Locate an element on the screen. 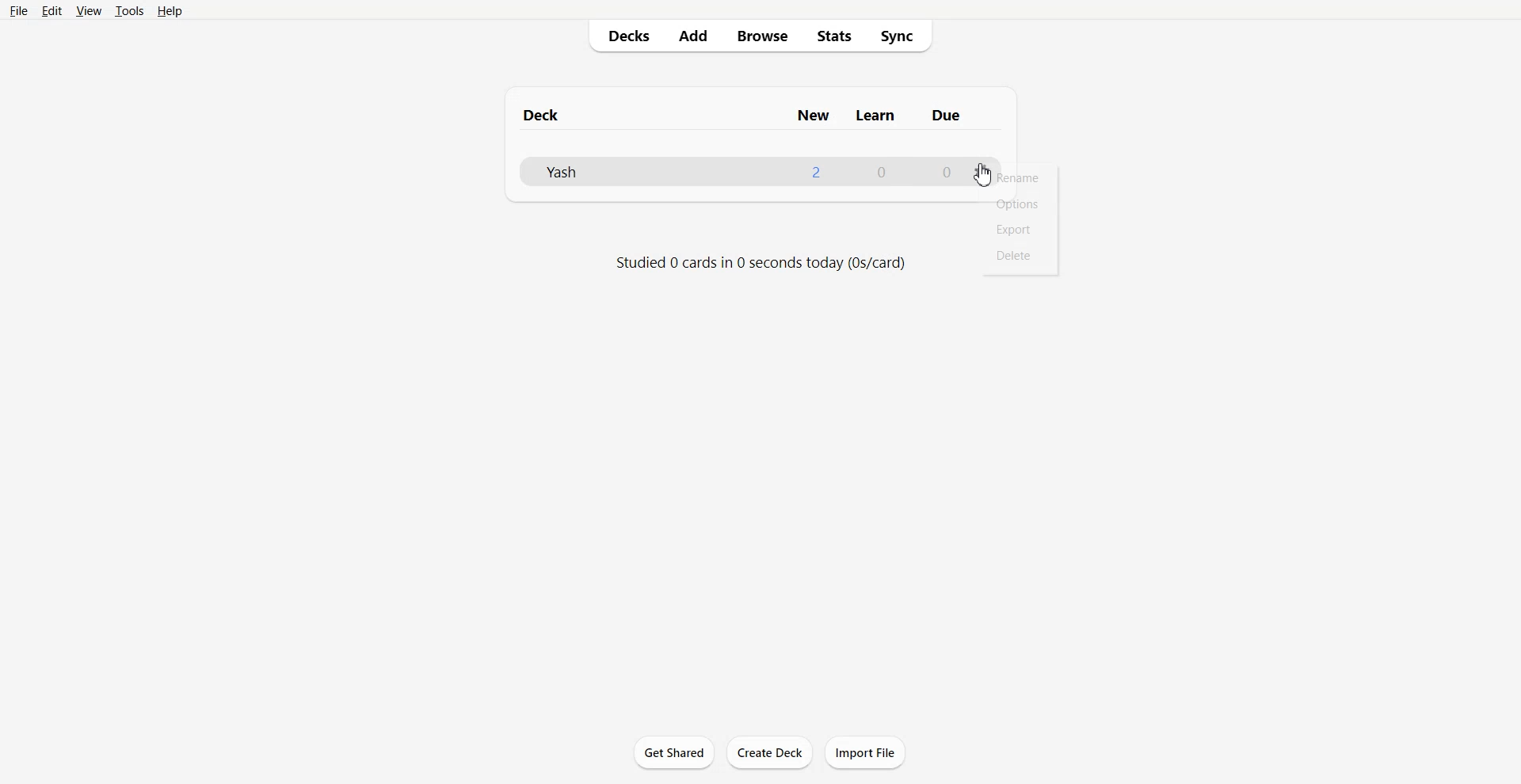 The image size is (1521, 784). Help is located at coordinates (173, 12).